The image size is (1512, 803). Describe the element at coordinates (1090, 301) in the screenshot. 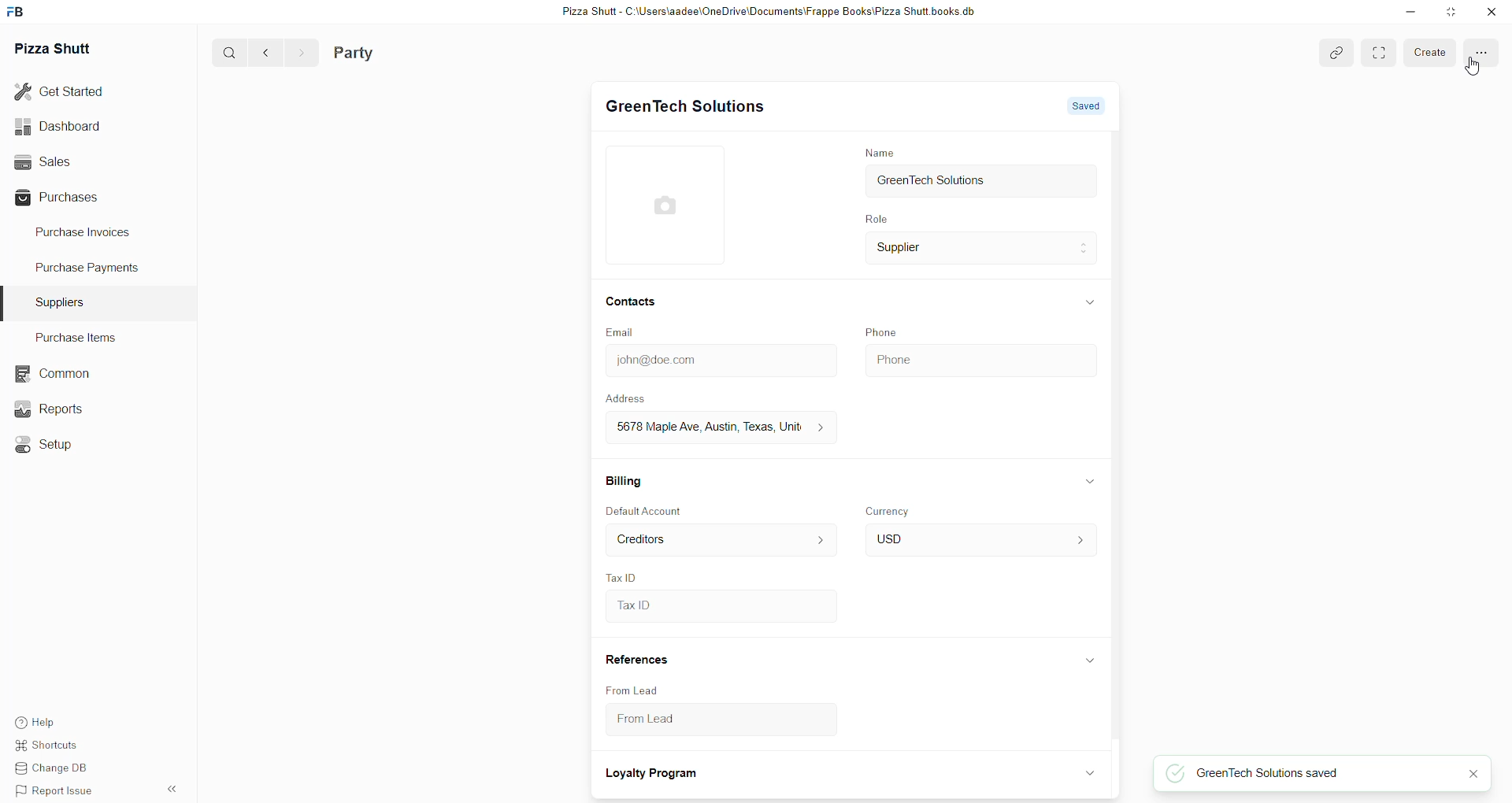

I see `hide` at that location.